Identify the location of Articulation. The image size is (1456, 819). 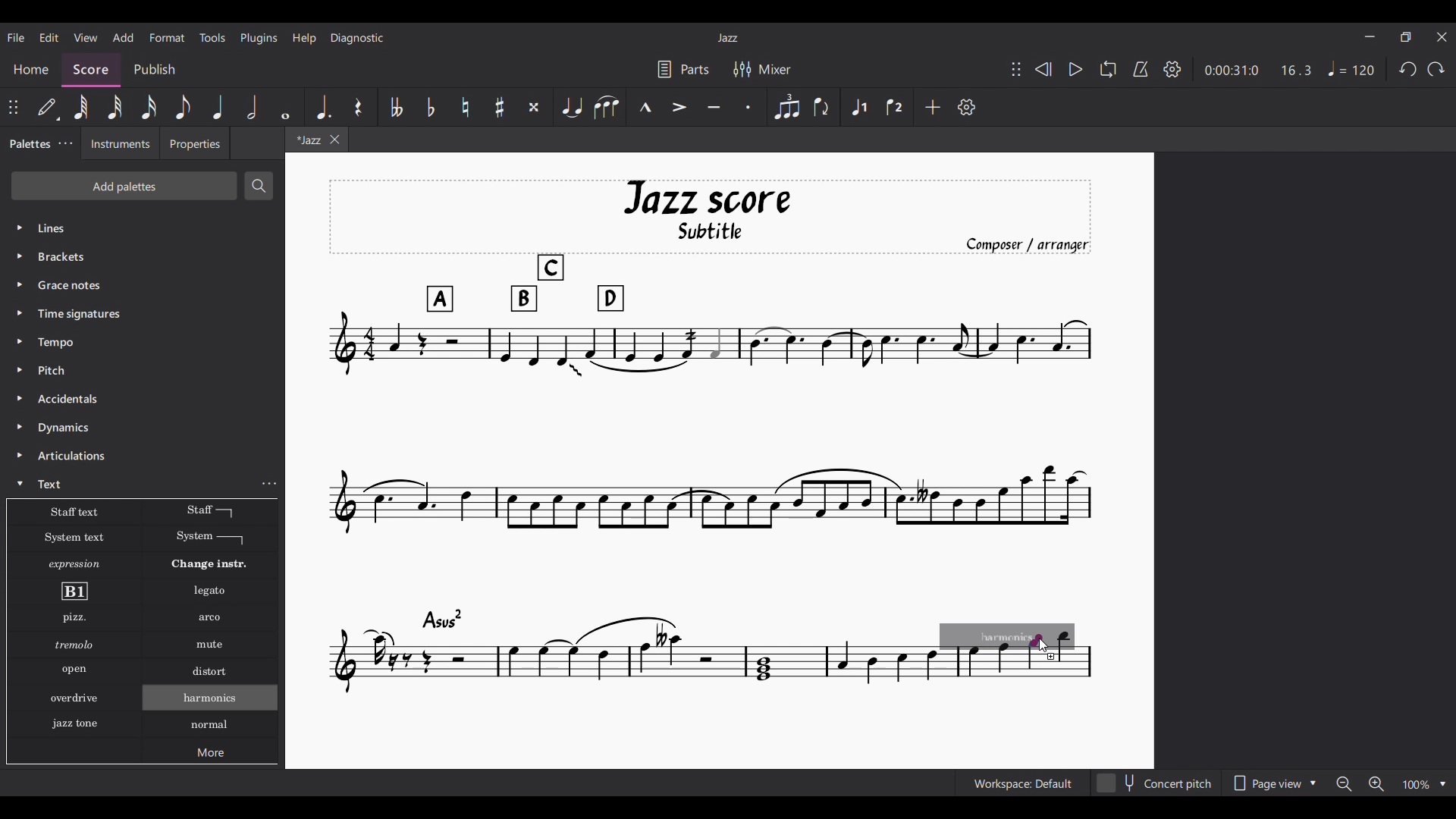
(74, 457).